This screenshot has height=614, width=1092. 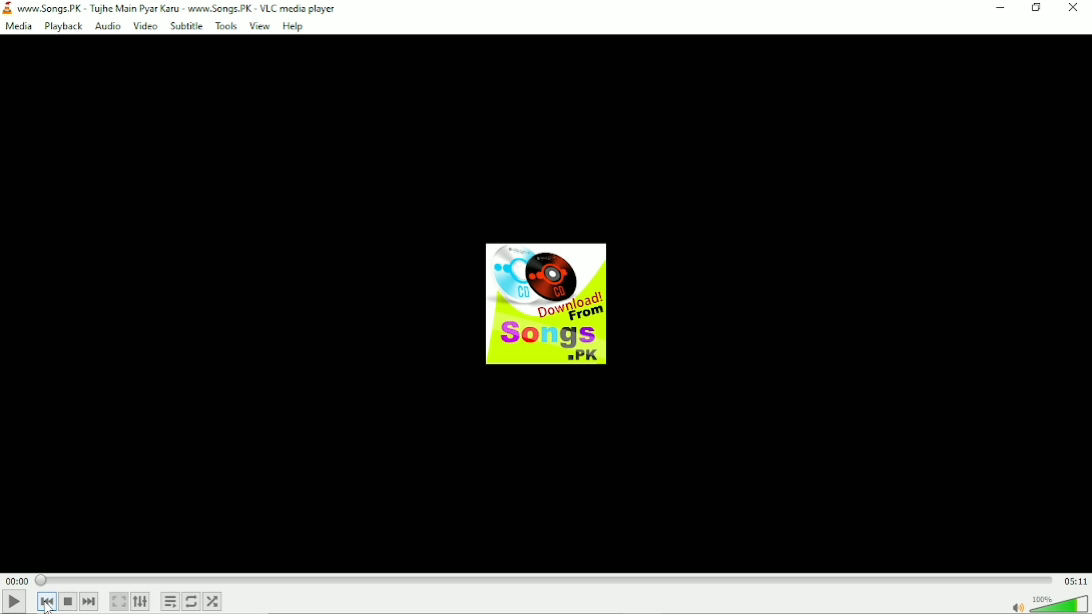 I want to click on Video, so click(x=144, y=27).